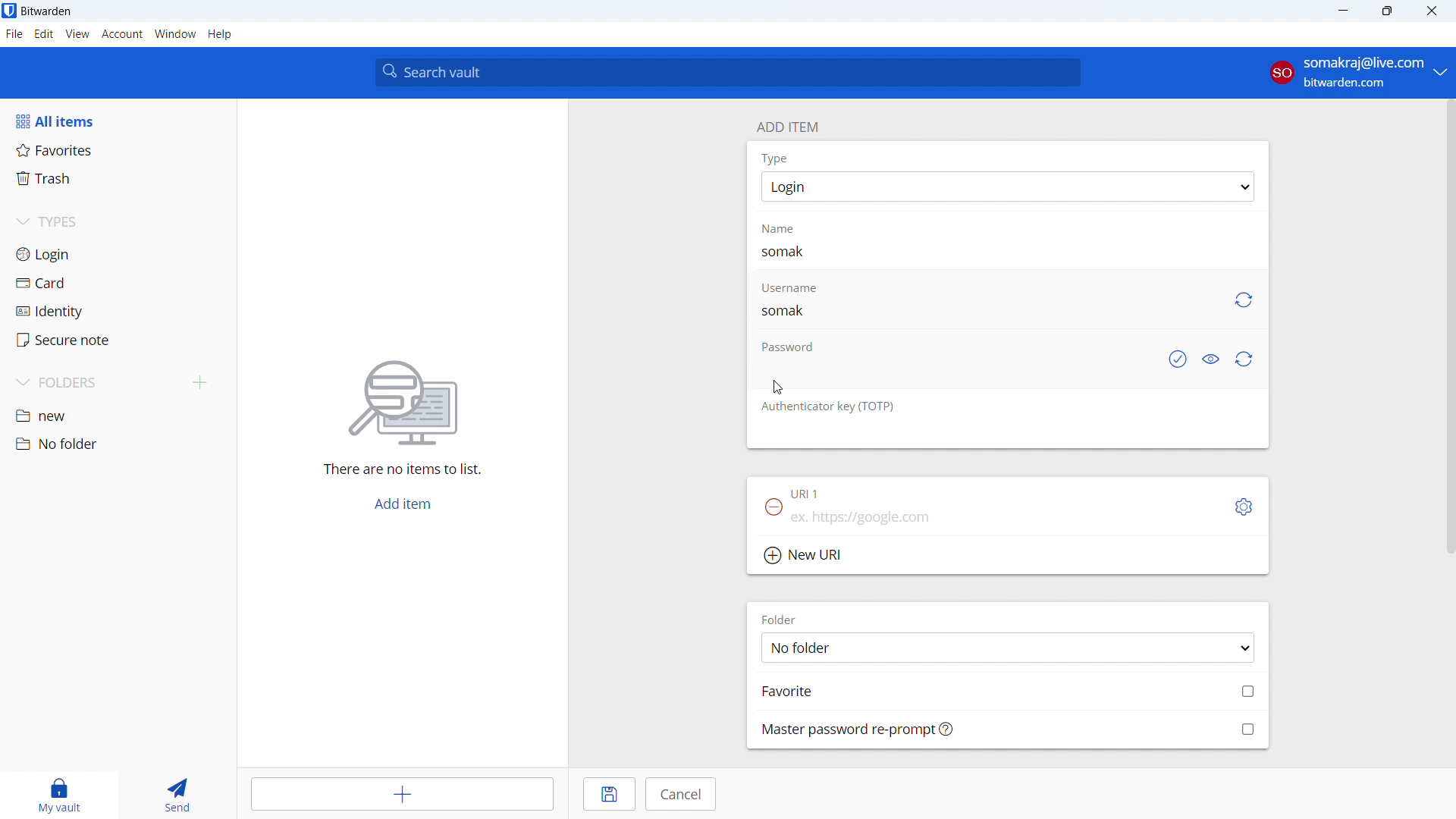 The height and width of the screenshot is (819, 1456). Describe the element at coordinates (44, 34) in the screenshot. I see `edit` at that location.